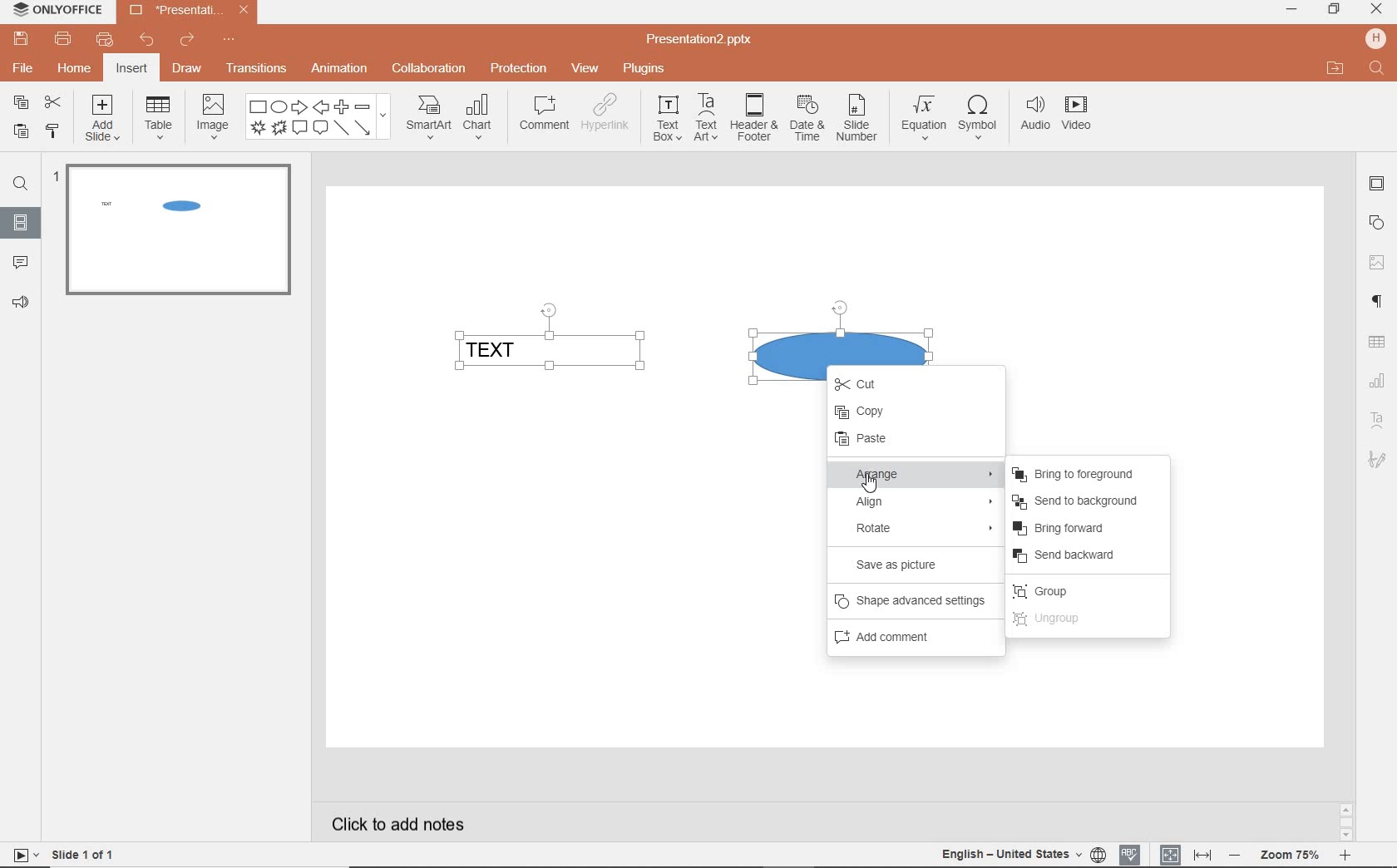 Image resolution: width=1397 pixels, height=868 pixels. Describe the element at coordinates (1378, 303) in the screenshot. I see `PARAGRAPH SETTINGS` at that location.